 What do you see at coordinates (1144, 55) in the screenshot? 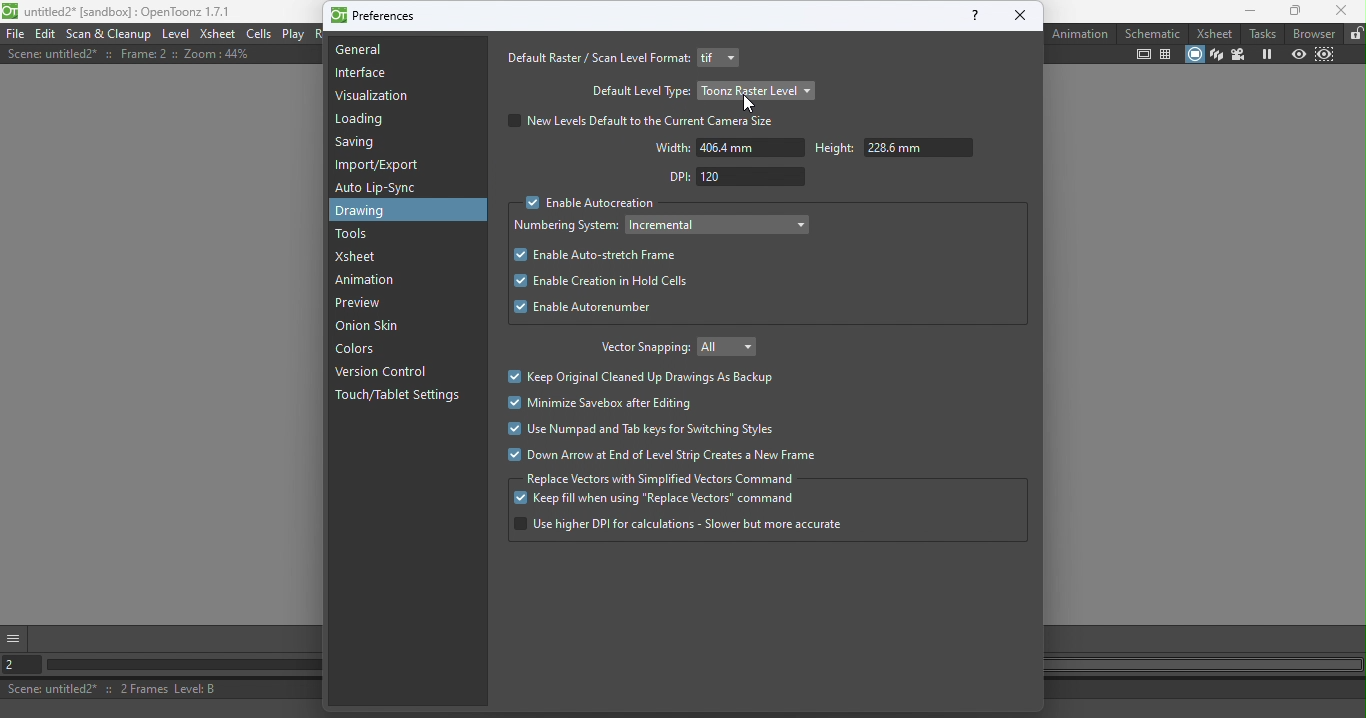
I see `Safe area` at bounding box center [1144, 55].